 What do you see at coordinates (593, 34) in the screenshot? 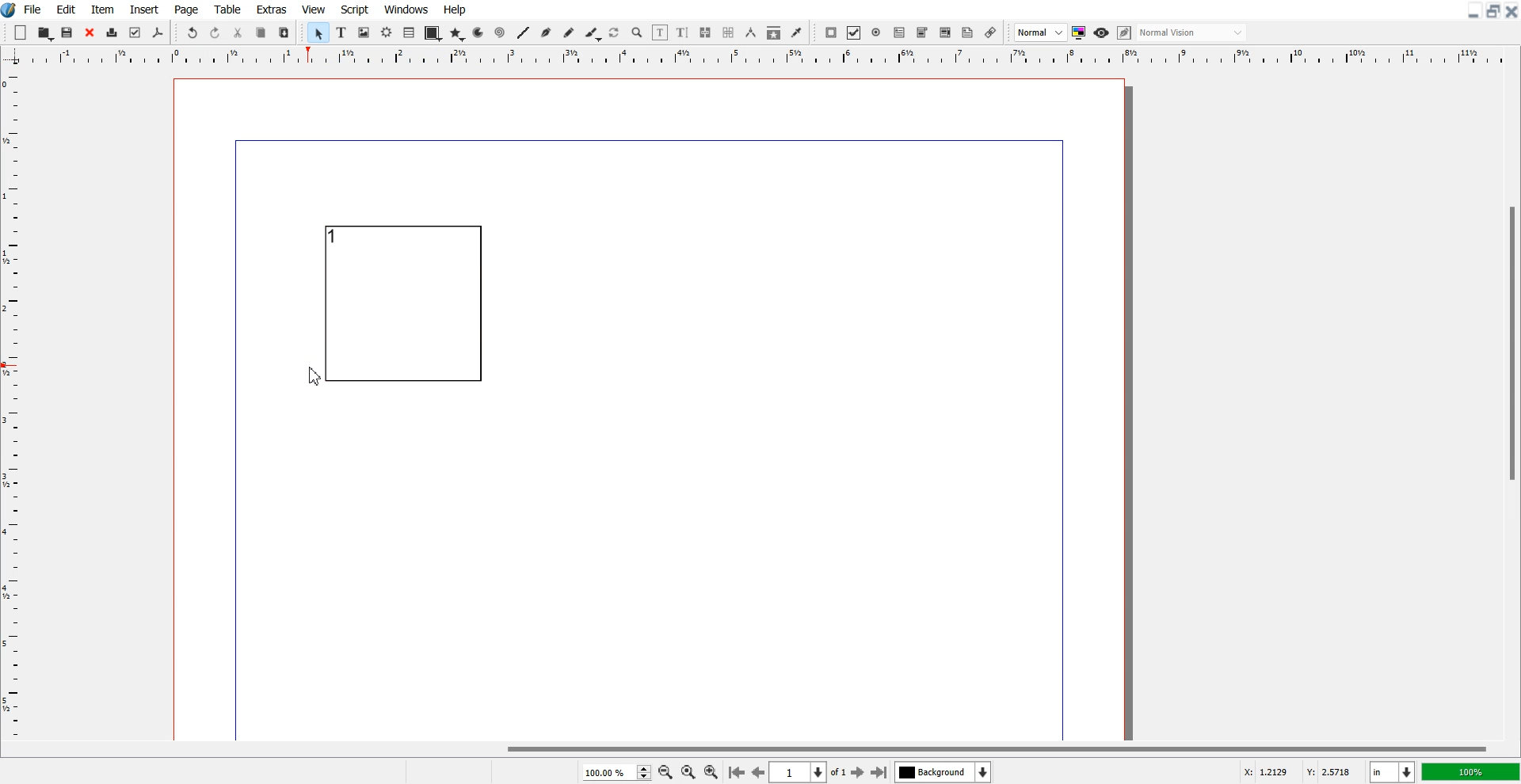
I see `Calligraphic line ` at bounding box center [593, 34].